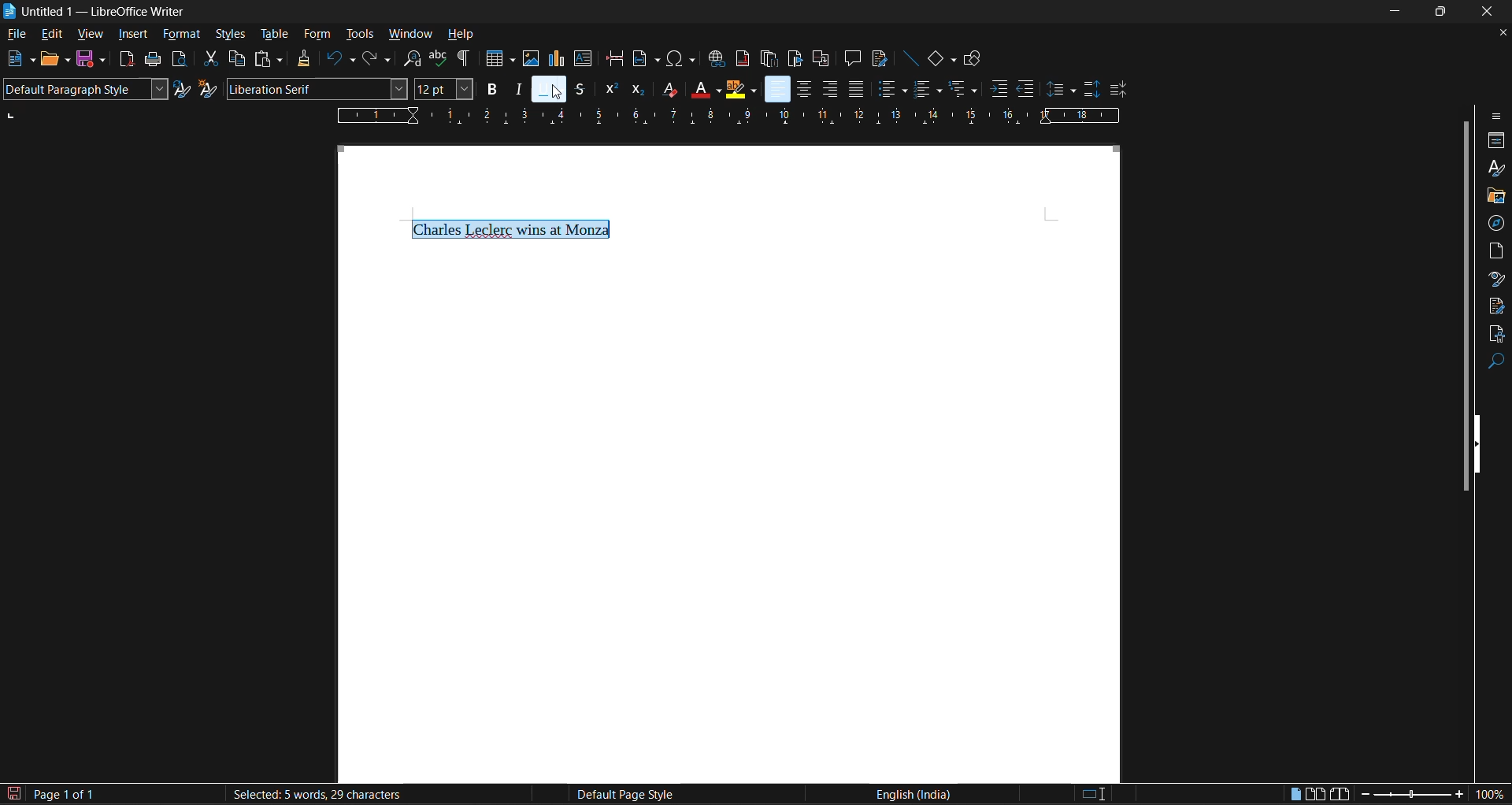 This screenshot has height=805, width=1512. I want to click on insert comments, so click(853, 58).